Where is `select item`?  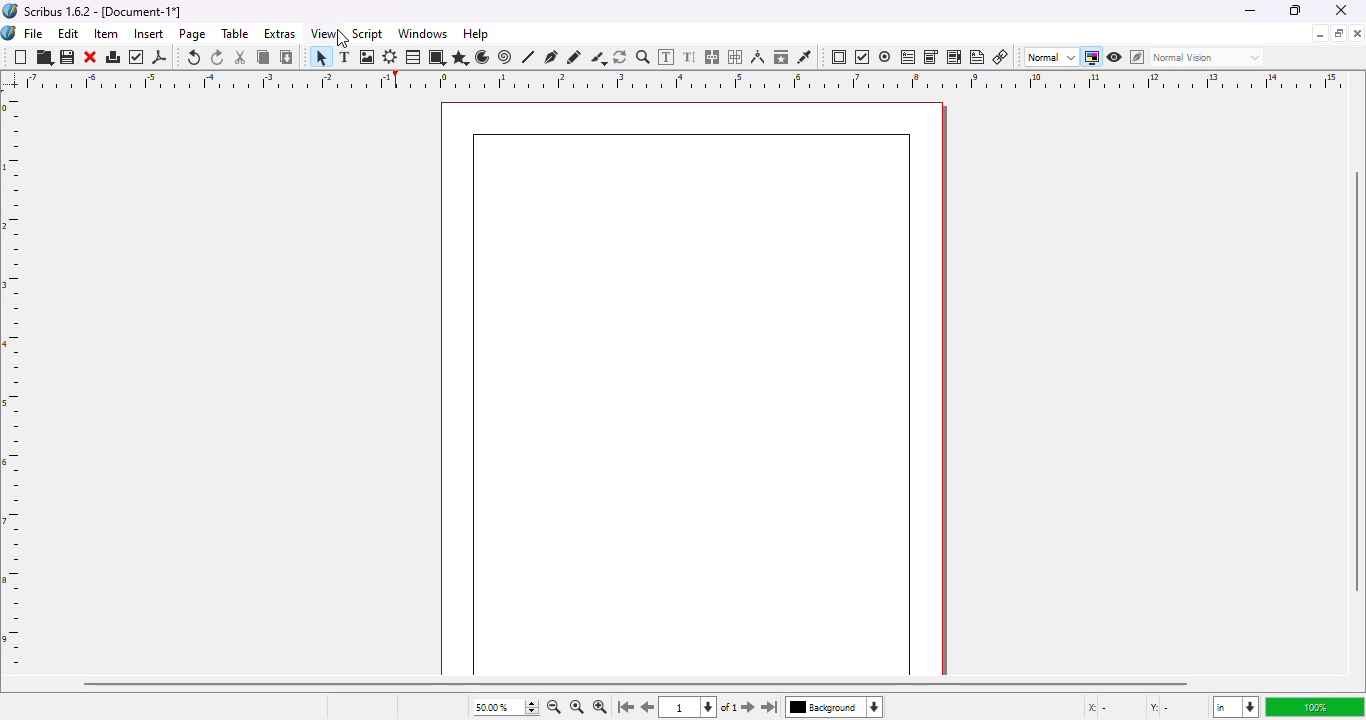 select item is located at coordinates (320, 56).